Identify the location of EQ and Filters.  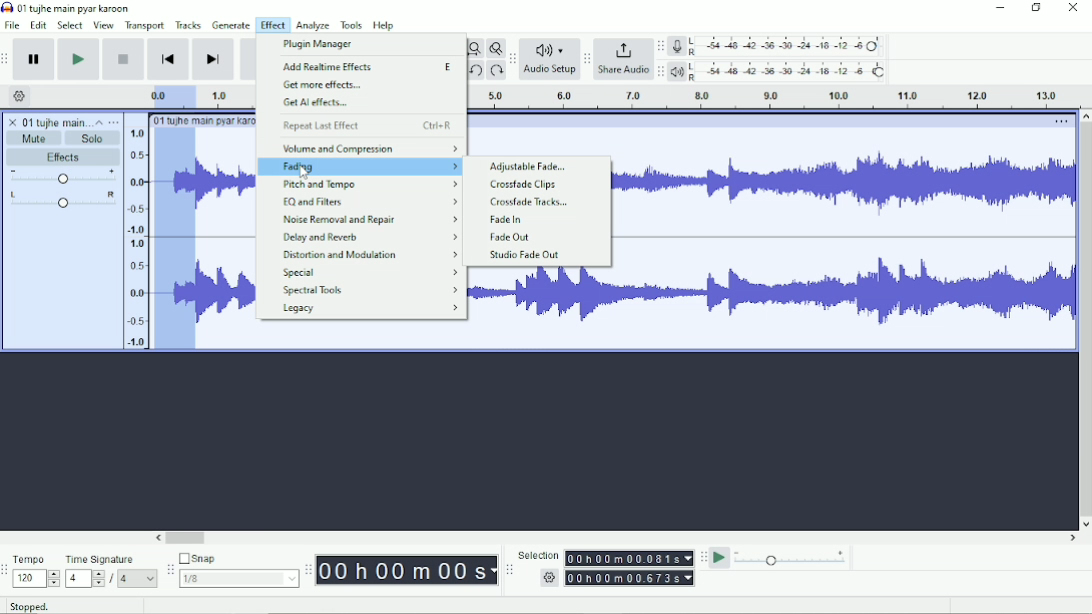
(369, 201).